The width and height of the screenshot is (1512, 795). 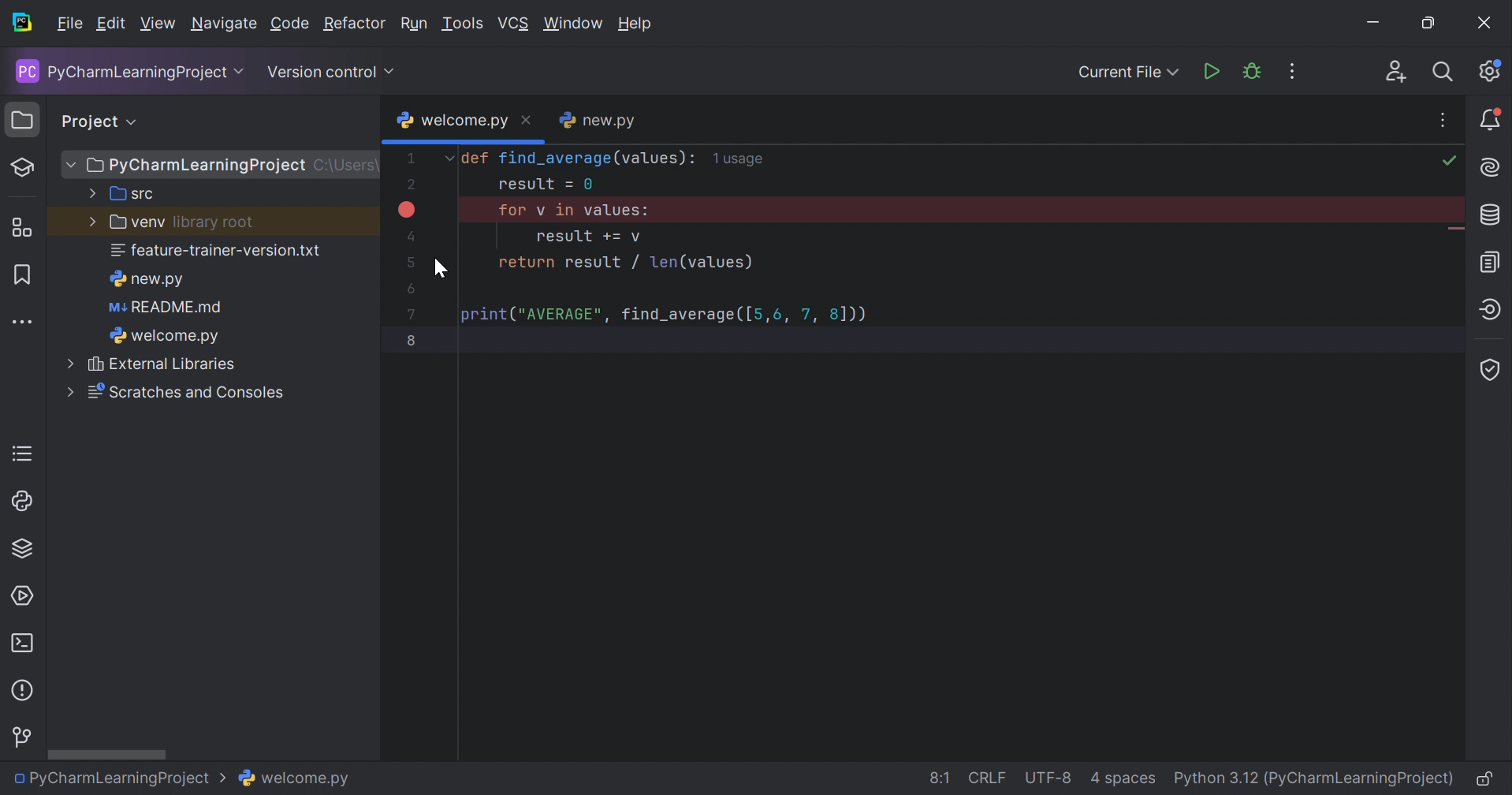 I want to click on feature-trainer-version, so click(x=215, y=252).